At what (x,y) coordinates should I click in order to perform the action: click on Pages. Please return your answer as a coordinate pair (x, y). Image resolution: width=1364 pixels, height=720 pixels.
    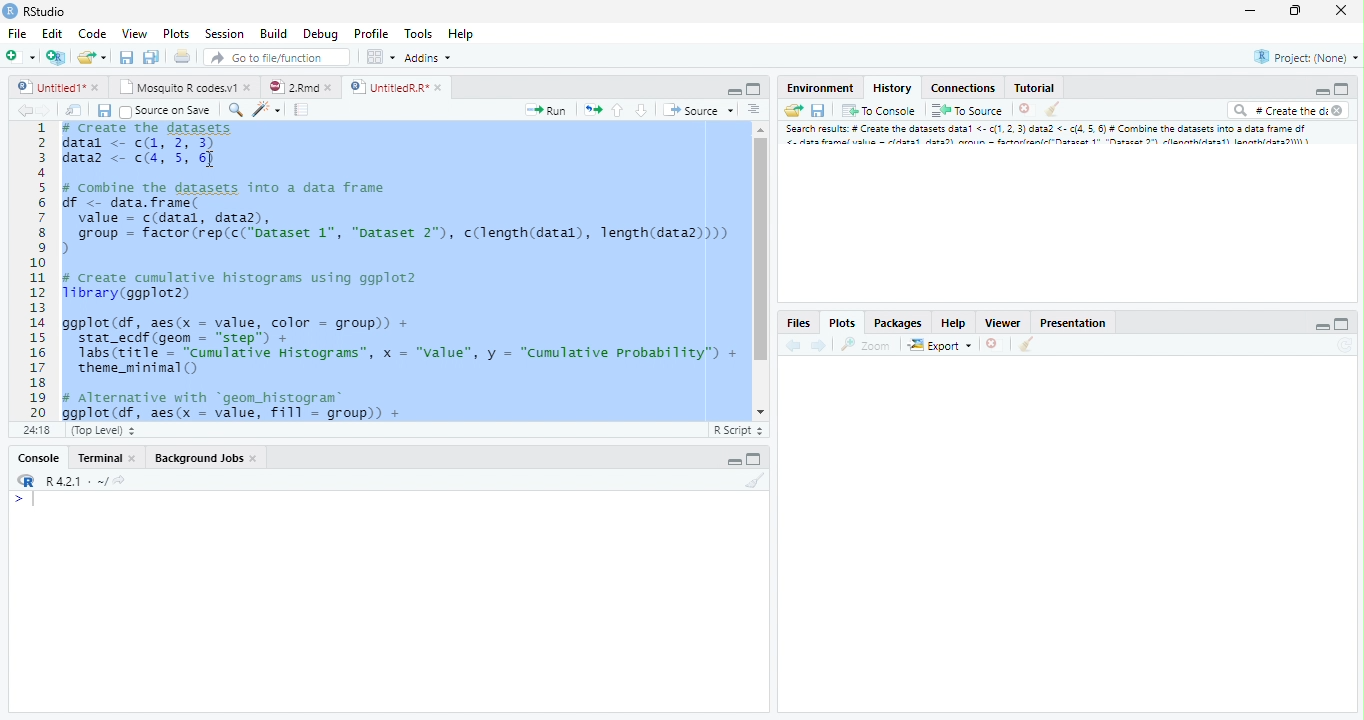
    Looking at the image, I should click on (300, 111).